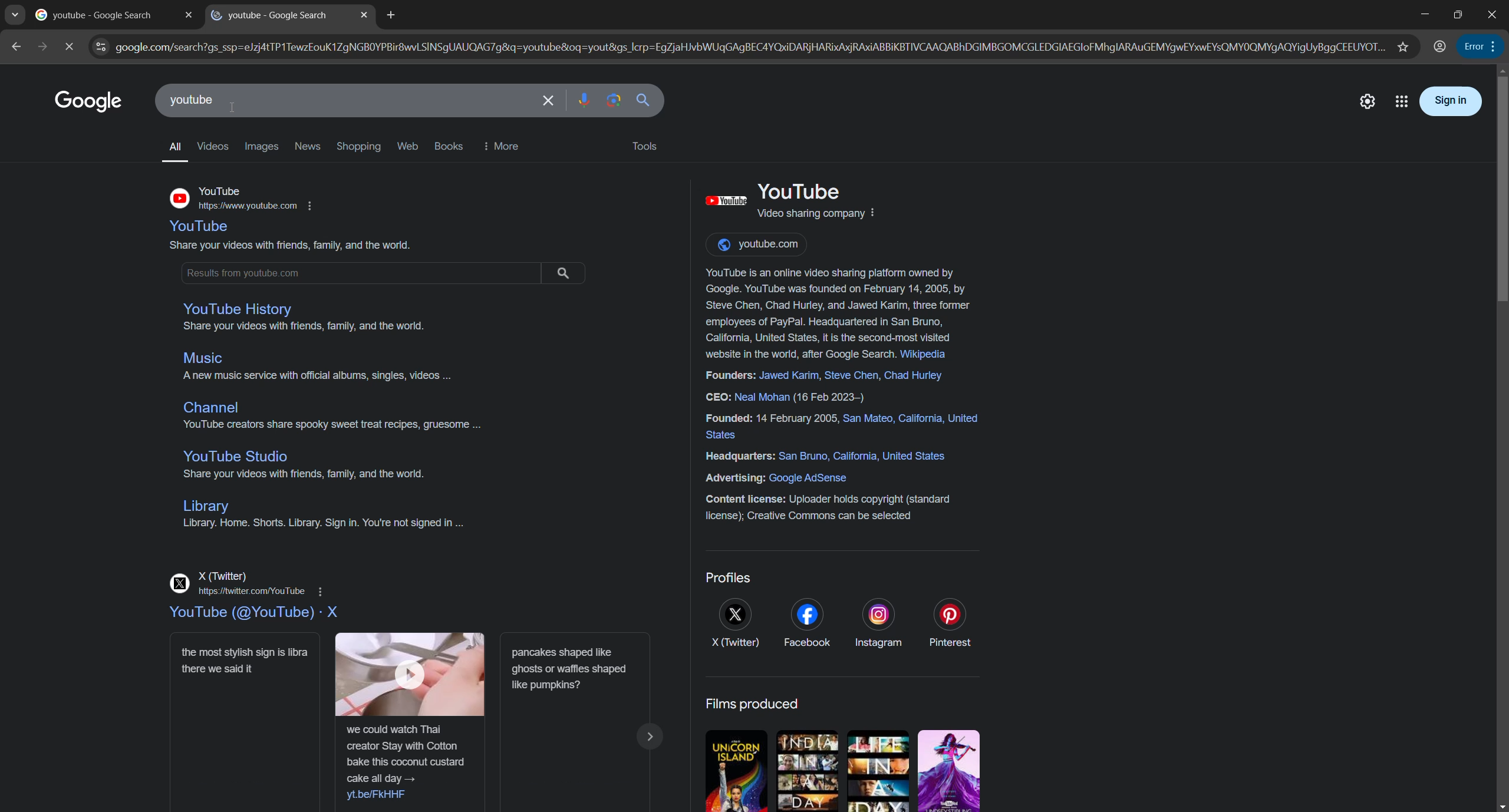 The image size is (1509, 812). I want to click on back, so click(15, 45).